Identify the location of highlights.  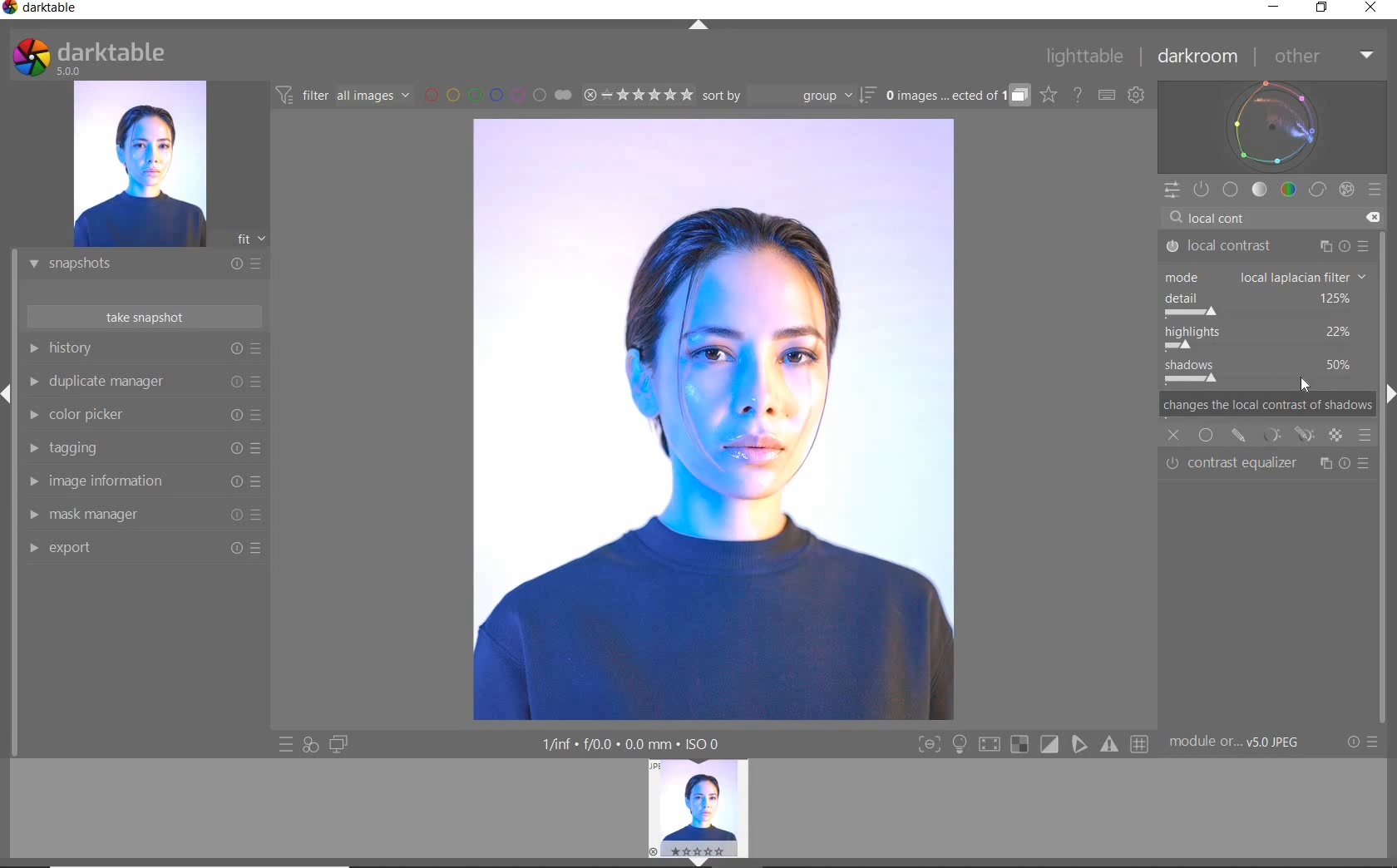
(1261, 338).